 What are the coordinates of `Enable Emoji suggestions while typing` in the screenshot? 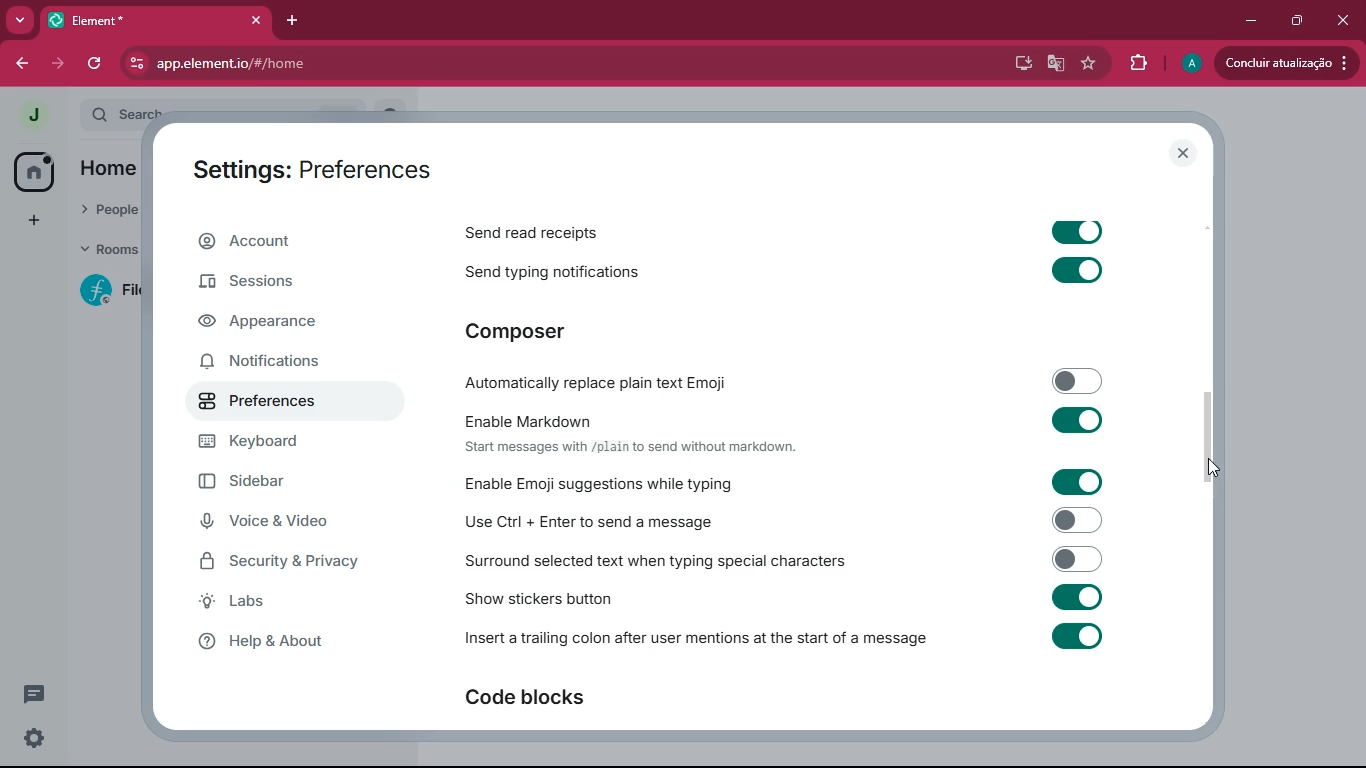 It's located at (789, 482).